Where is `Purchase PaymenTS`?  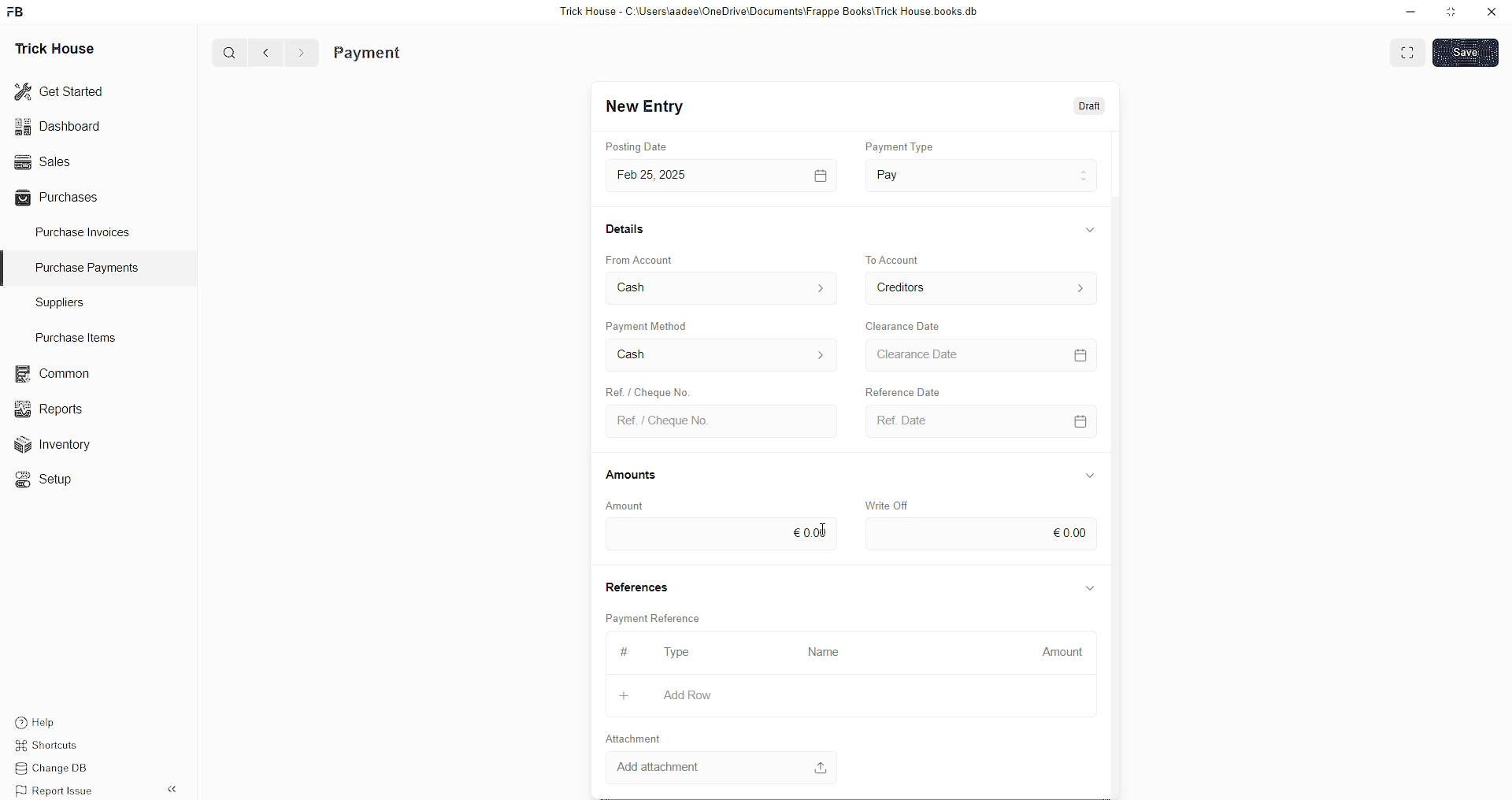
Purchase PaymenTS is located at coordinates (83, 268).